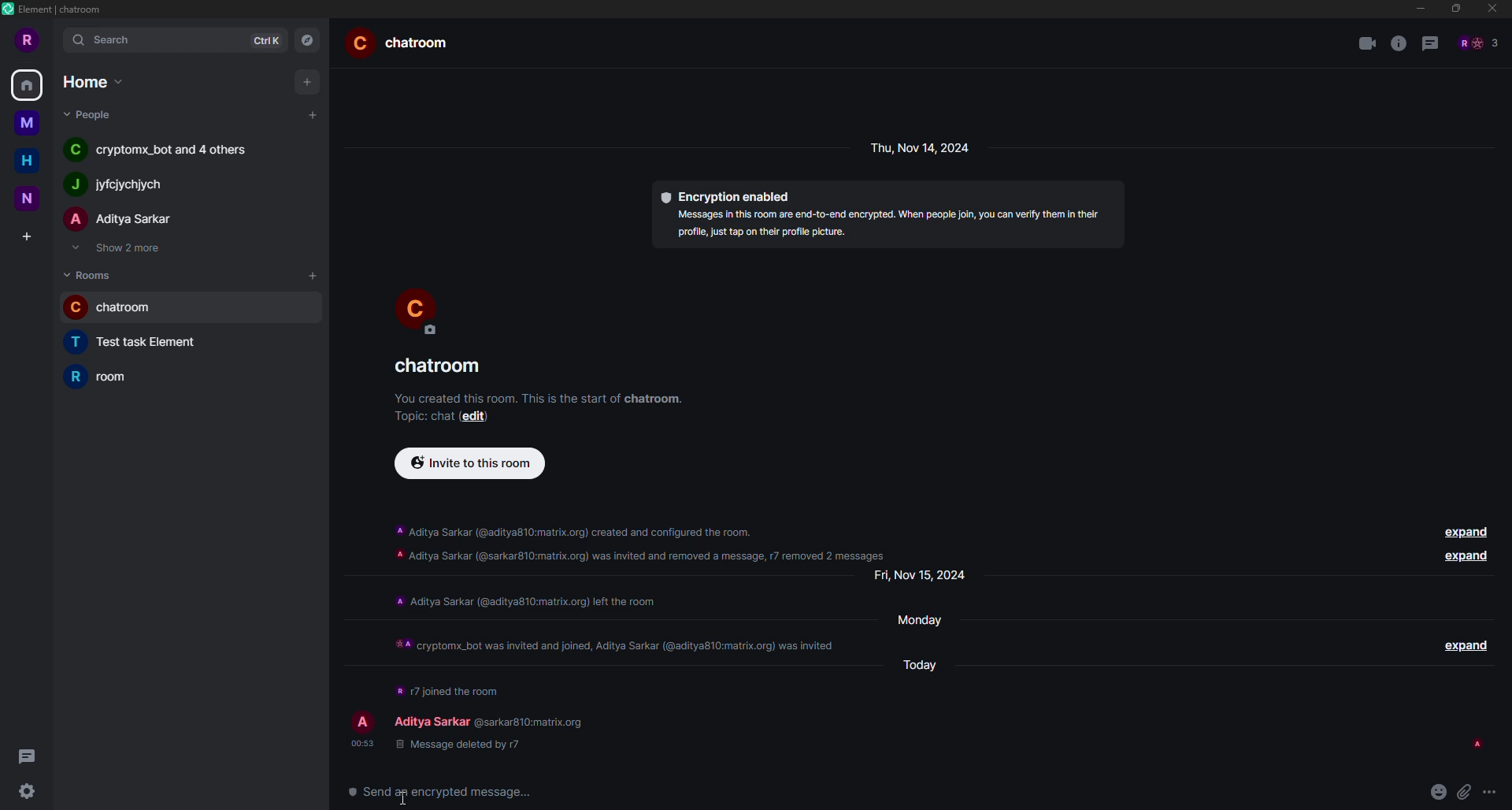  Describe the element at coordinates (1476, 744) in the screenshot. I see `seen` at that location.